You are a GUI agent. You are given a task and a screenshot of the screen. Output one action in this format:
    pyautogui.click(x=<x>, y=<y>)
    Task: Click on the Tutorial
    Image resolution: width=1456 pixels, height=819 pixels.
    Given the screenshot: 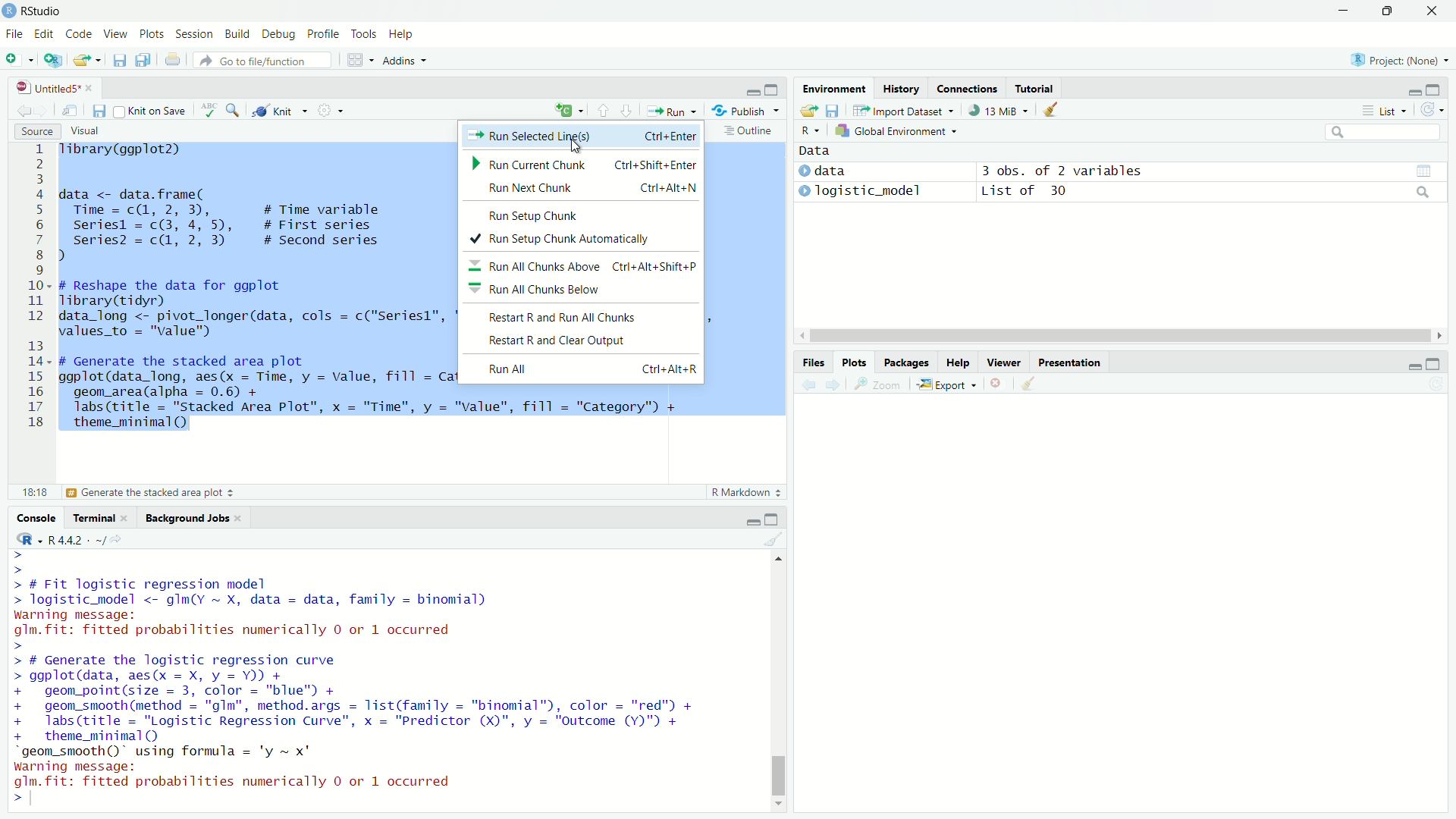 What is the action you would take?
    pyautogui.click(x=1040, y=88)
    